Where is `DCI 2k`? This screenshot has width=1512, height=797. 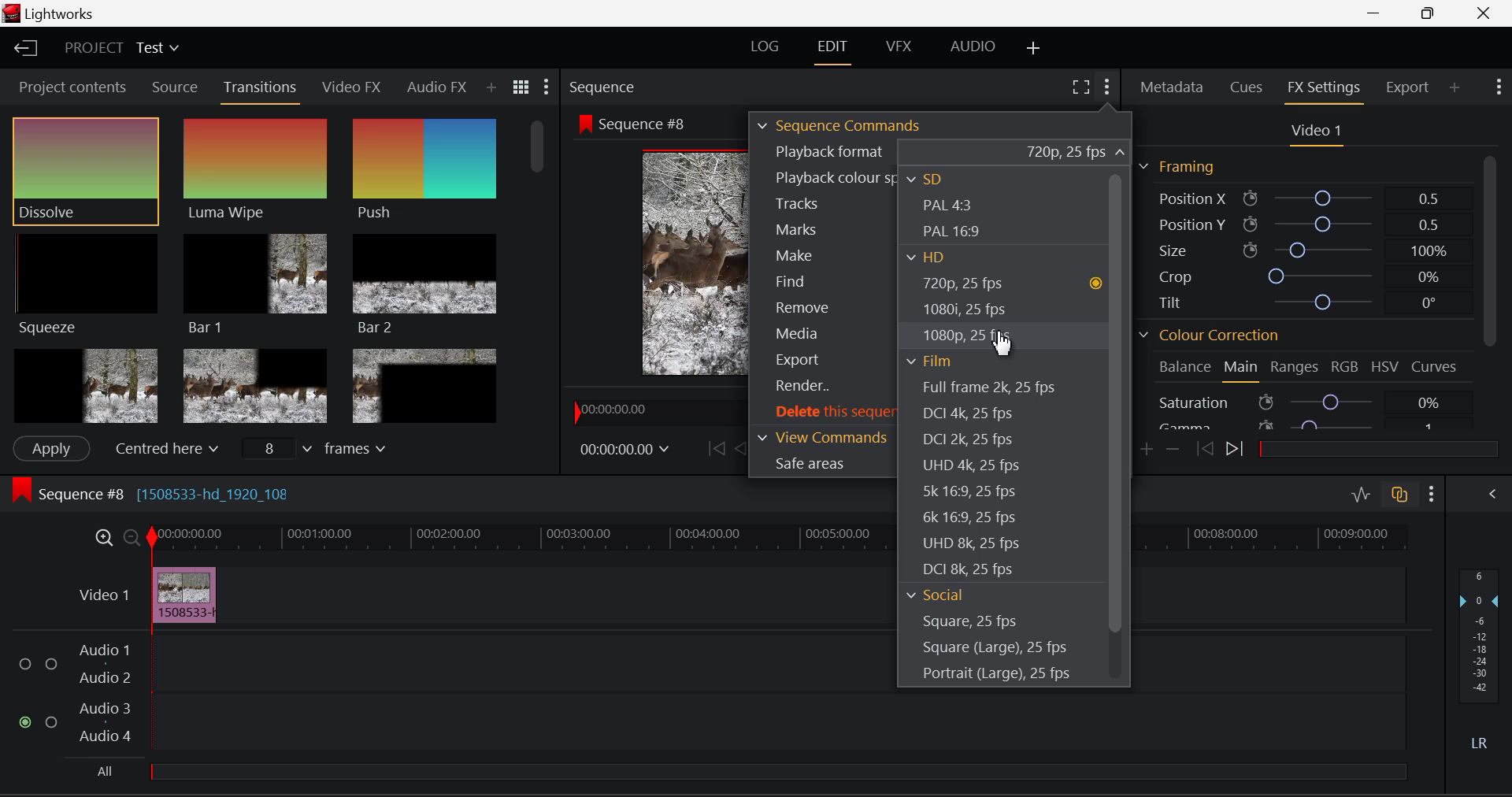 DCI 2k is located at coordinates (970, 441).